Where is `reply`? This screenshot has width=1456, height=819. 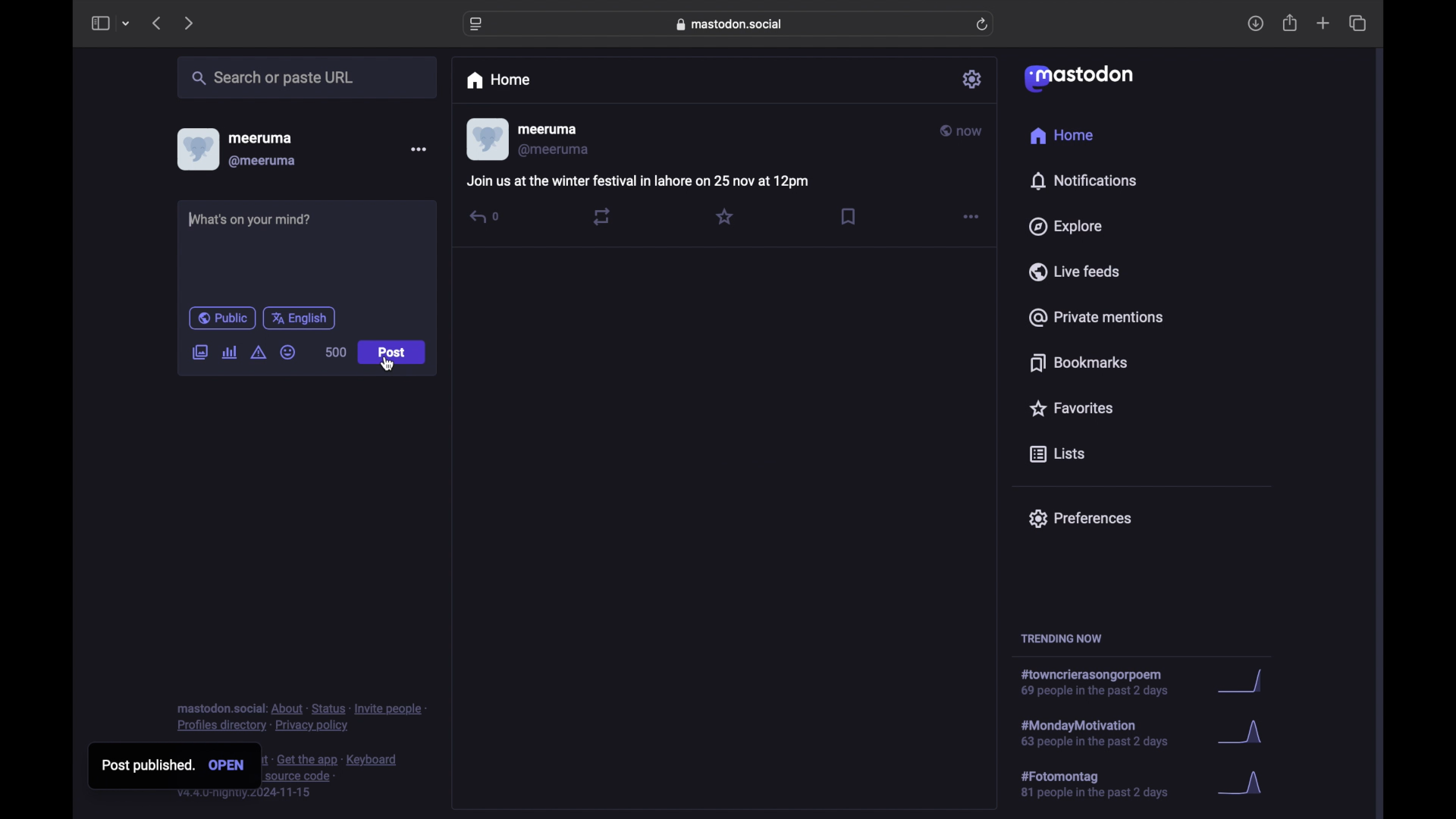
reply is located at coordinates (483, 216).